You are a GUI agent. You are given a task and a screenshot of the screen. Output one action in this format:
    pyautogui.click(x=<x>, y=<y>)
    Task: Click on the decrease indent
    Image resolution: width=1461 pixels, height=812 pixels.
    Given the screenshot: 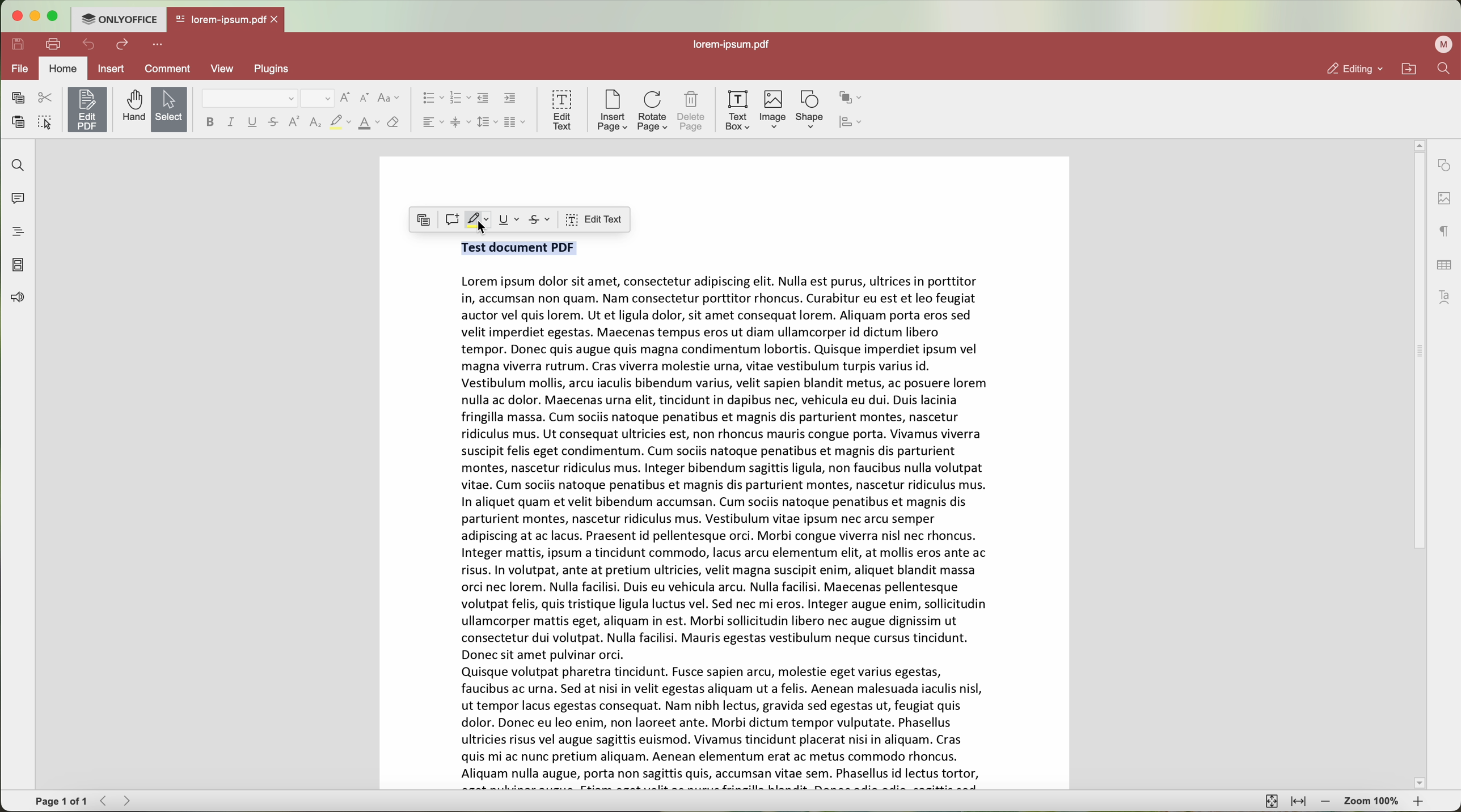 What is the action you would take?
    pyautogui.click(x=484, y=99)
    